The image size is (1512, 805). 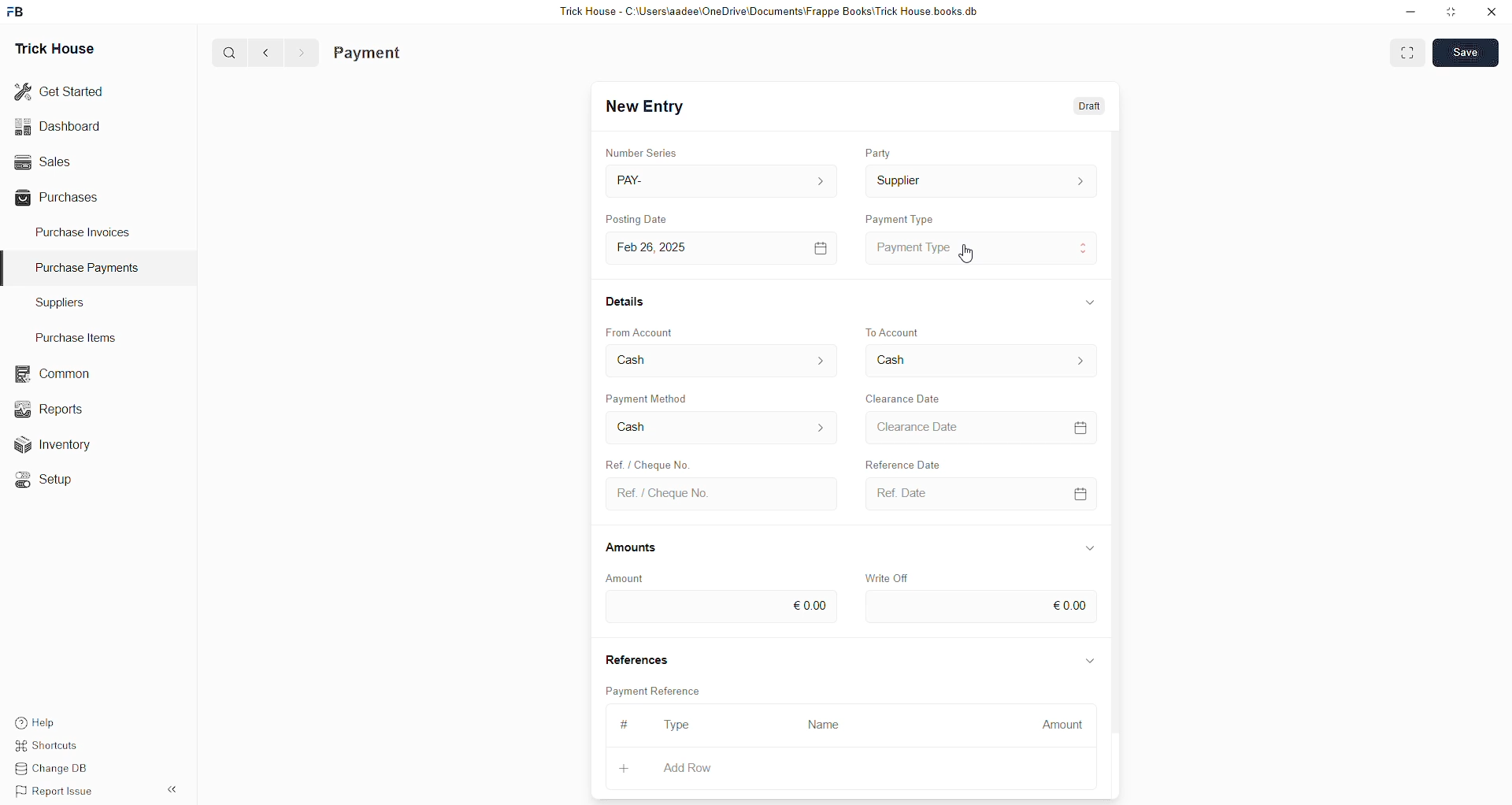 I want to click on From Account, so click(x=723, y=360).